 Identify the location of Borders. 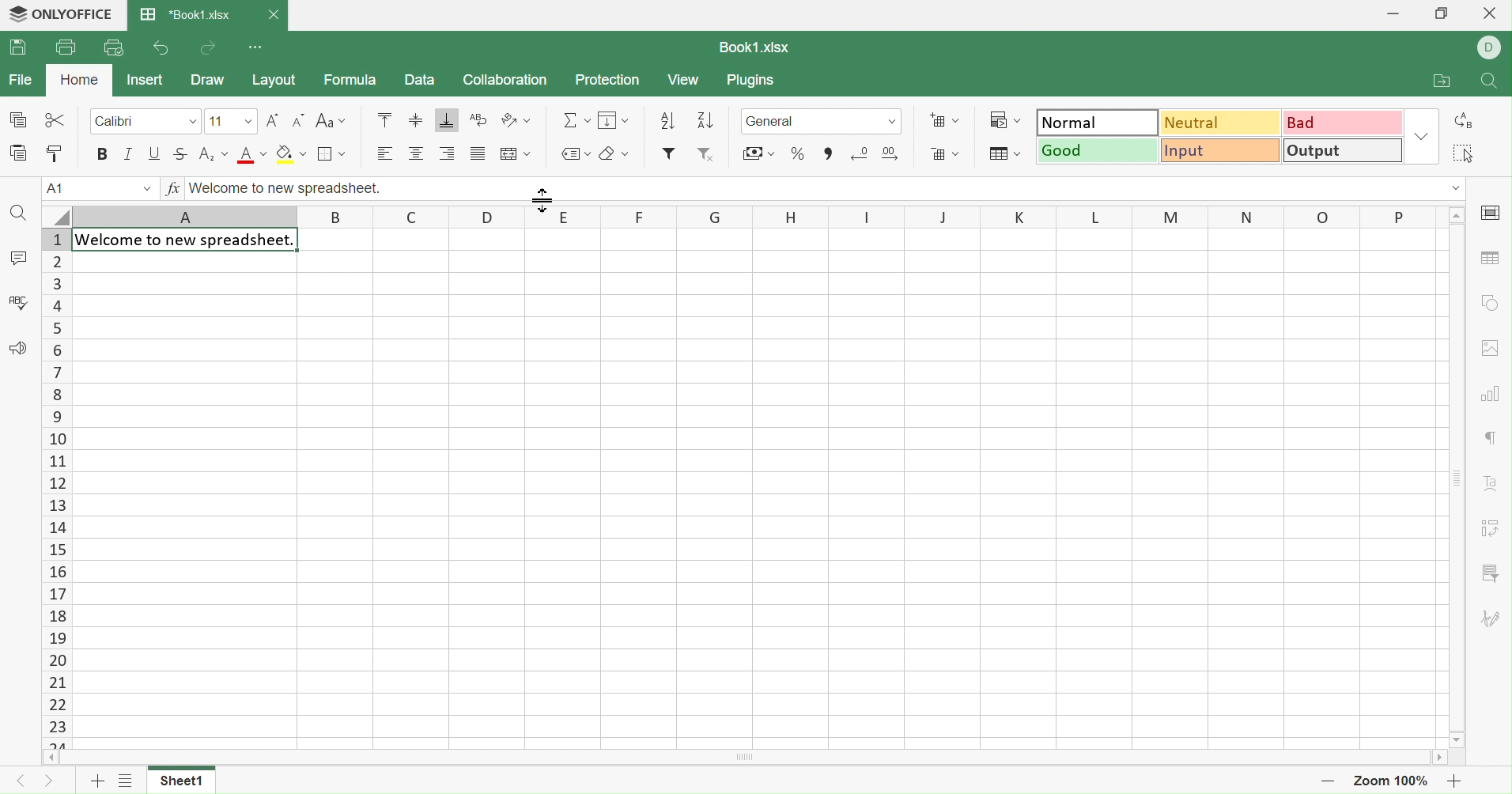
(329, 153).